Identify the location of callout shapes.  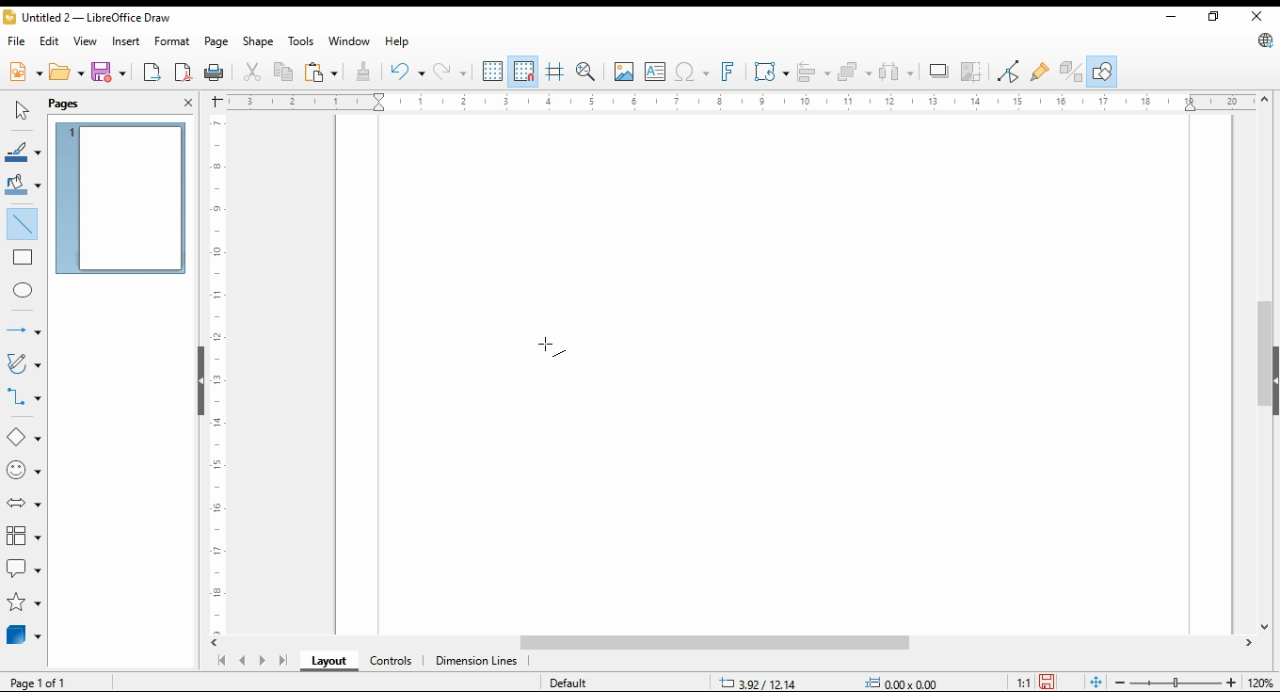
(24, 566).